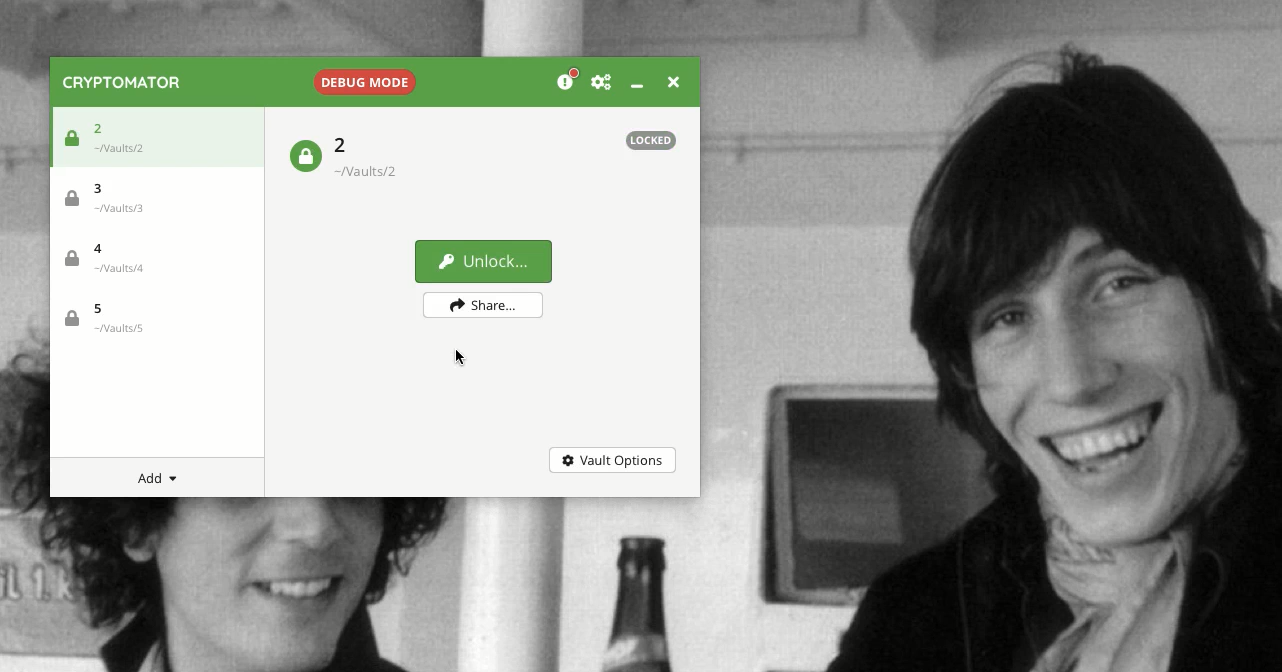 The width and height of the screenshot is (1282, 672). I want to click on Vault 5, so click(125, 319).